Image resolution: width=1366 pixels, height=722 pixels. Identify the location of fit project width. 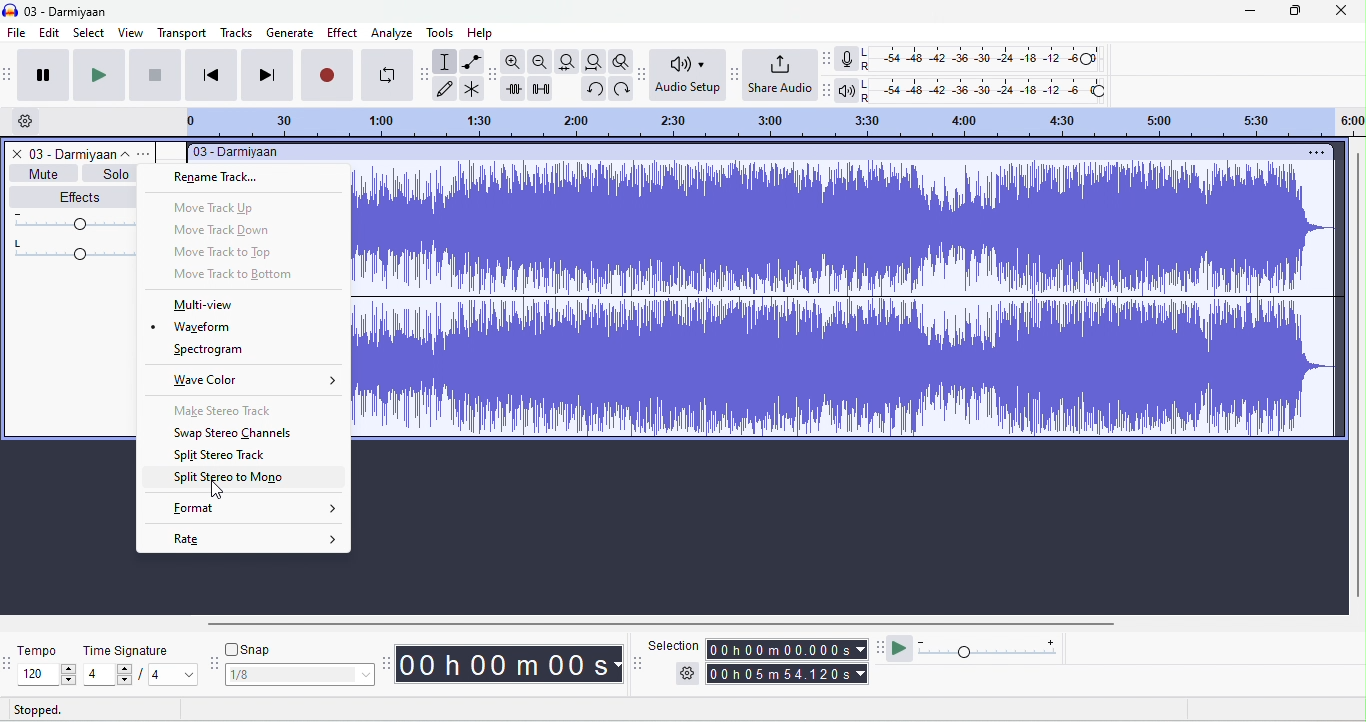
(593, 63).